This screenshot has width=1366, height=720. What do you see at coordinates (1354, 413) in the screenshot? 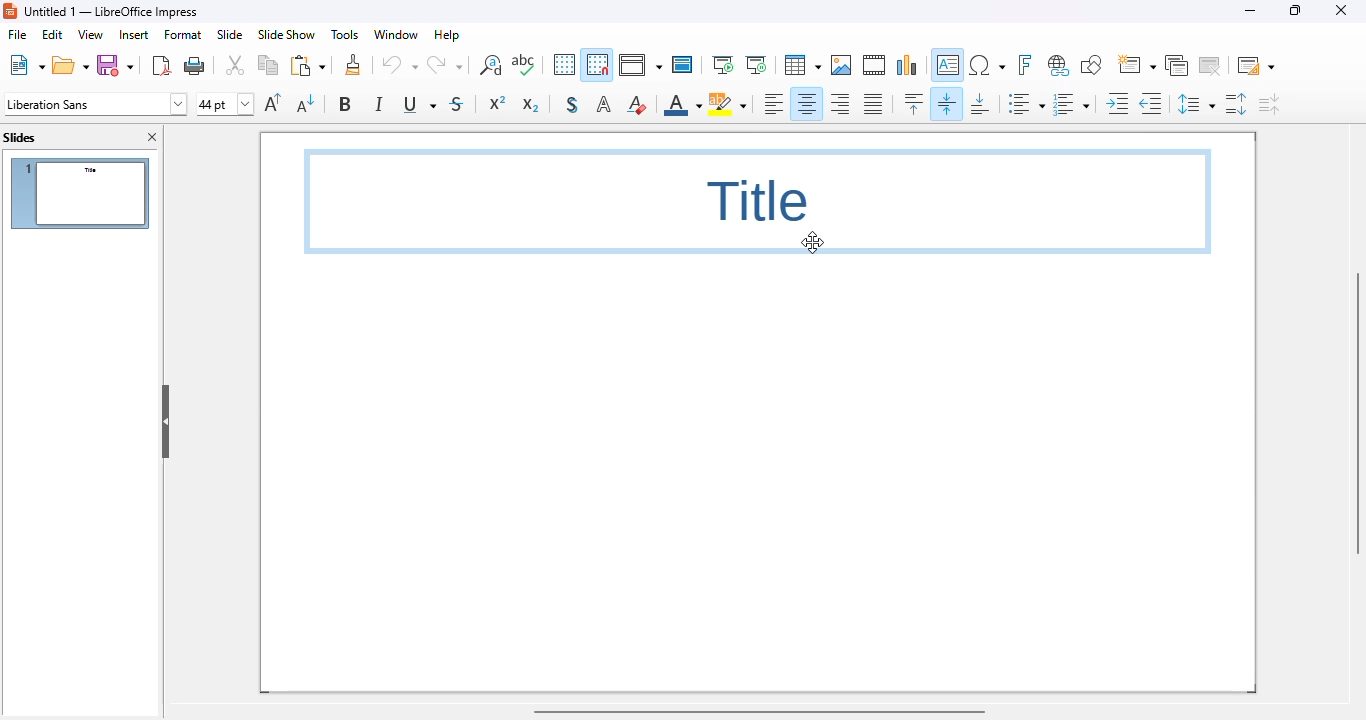
I see `vertical scroll bar` at bounding box center [1354, 413].